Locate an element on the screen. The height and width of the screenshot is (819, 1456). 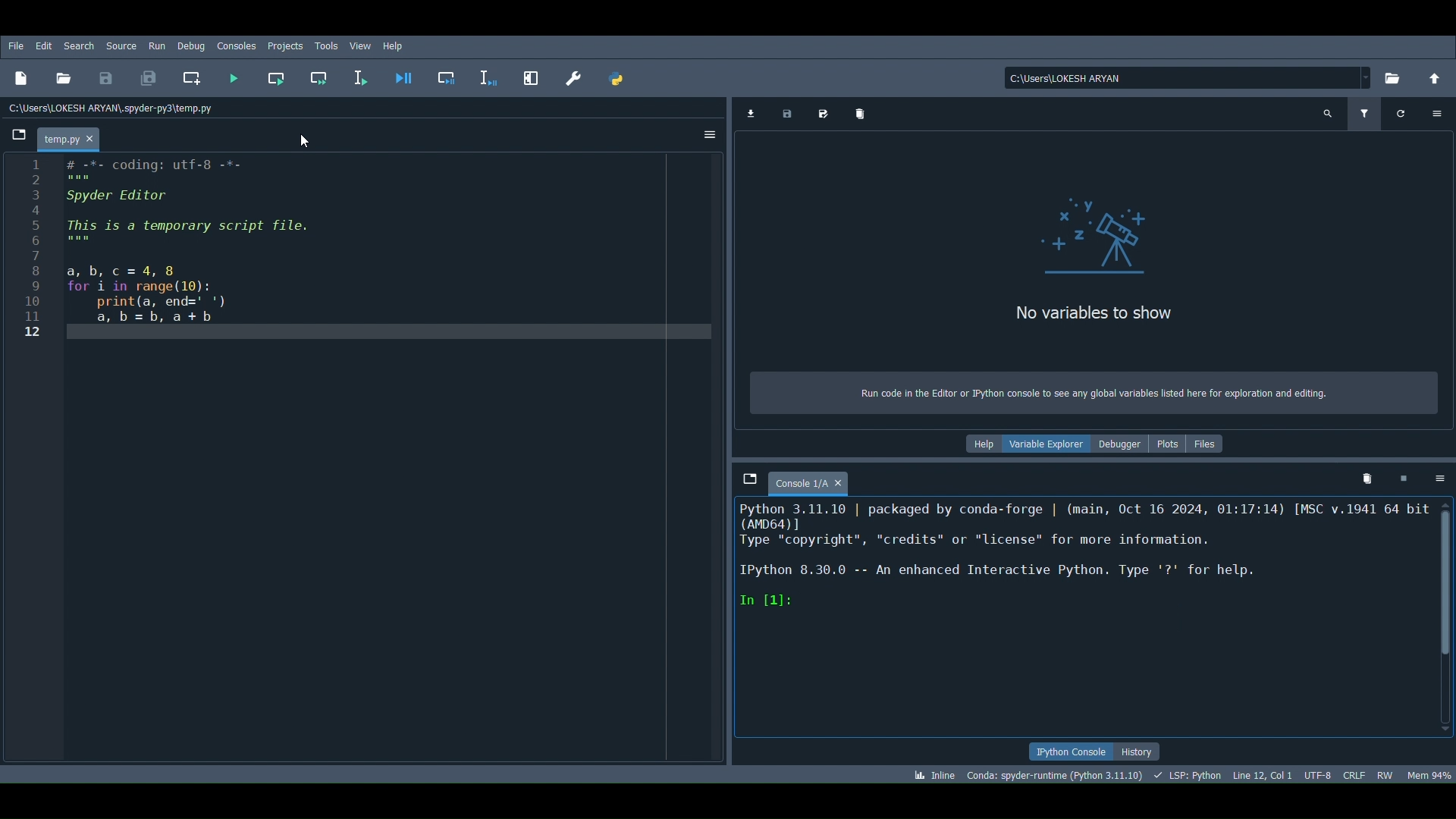
Browse tabs is located at coordinates (747, 479).